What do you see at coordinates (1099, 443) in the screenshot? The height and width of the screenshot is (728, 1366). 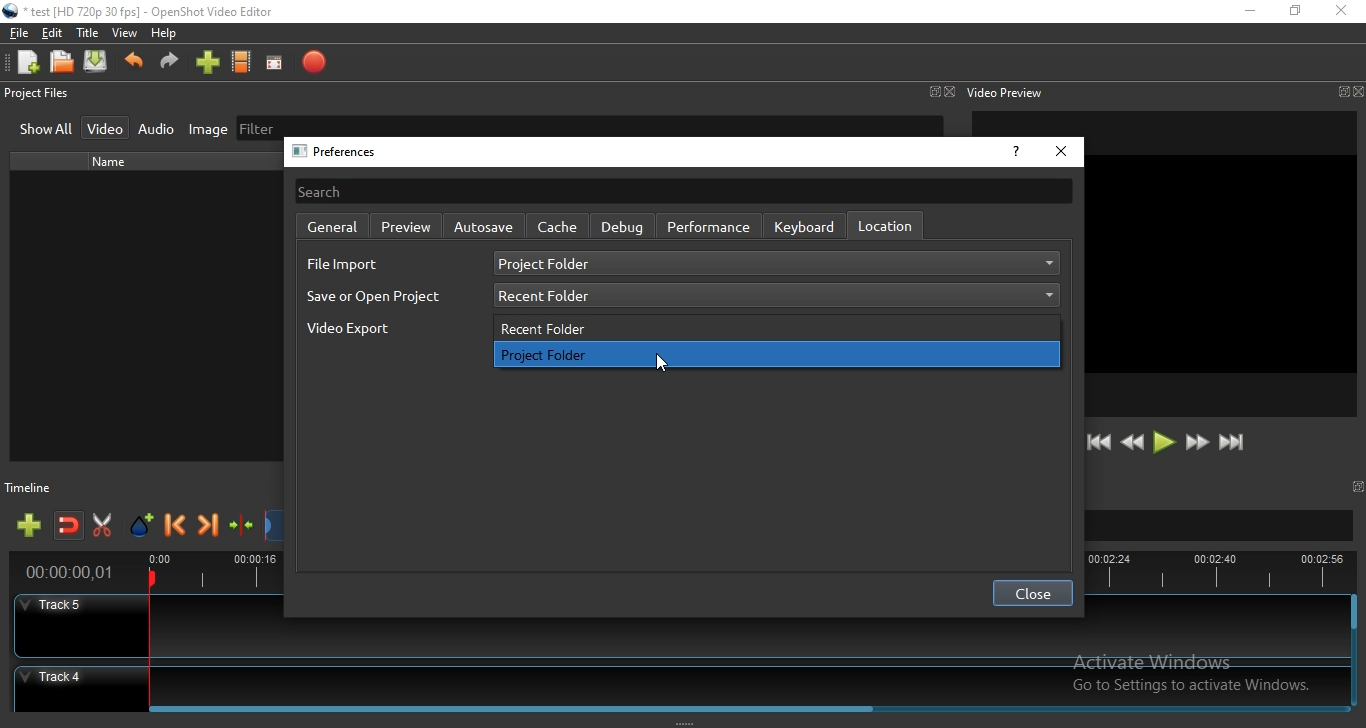 I see `Jump to start` at bounding box center [1099, 443].